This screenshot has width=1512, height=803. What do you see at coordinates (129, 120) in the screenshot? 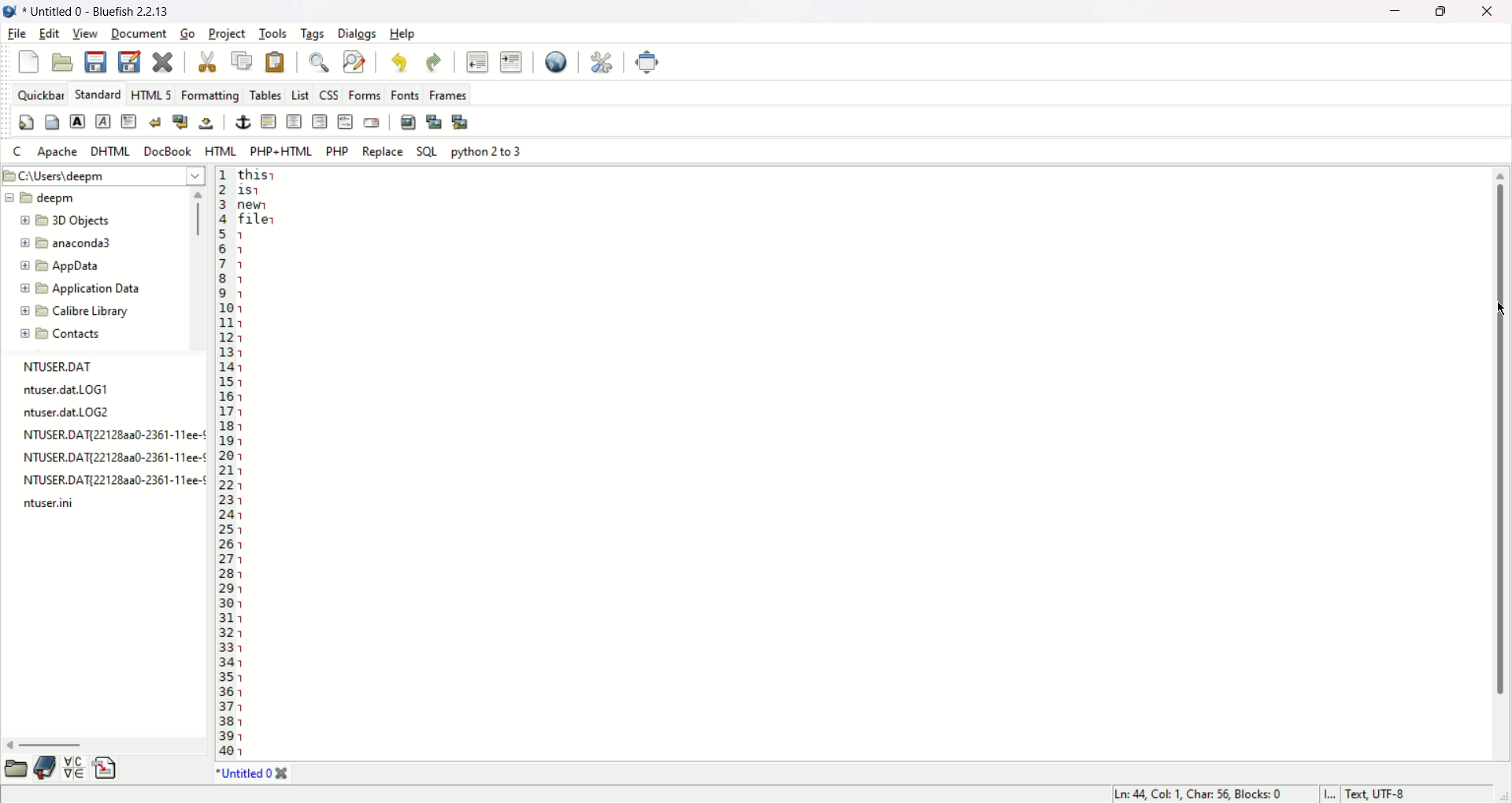
I see `paragraph` at bounding box center [129, 120].